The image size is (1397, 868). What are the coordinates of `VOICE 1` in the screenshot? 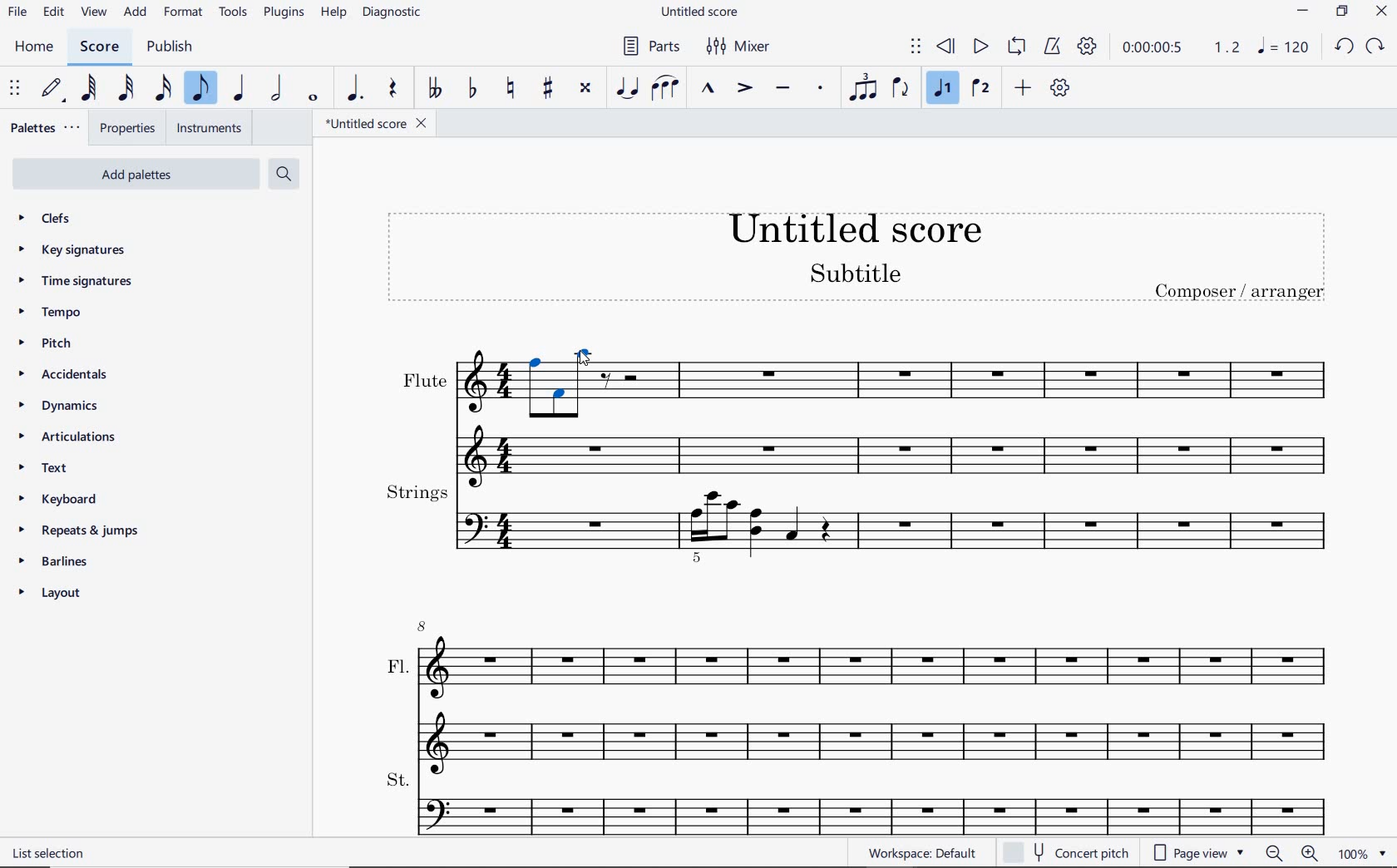 It's located at (945, 90).